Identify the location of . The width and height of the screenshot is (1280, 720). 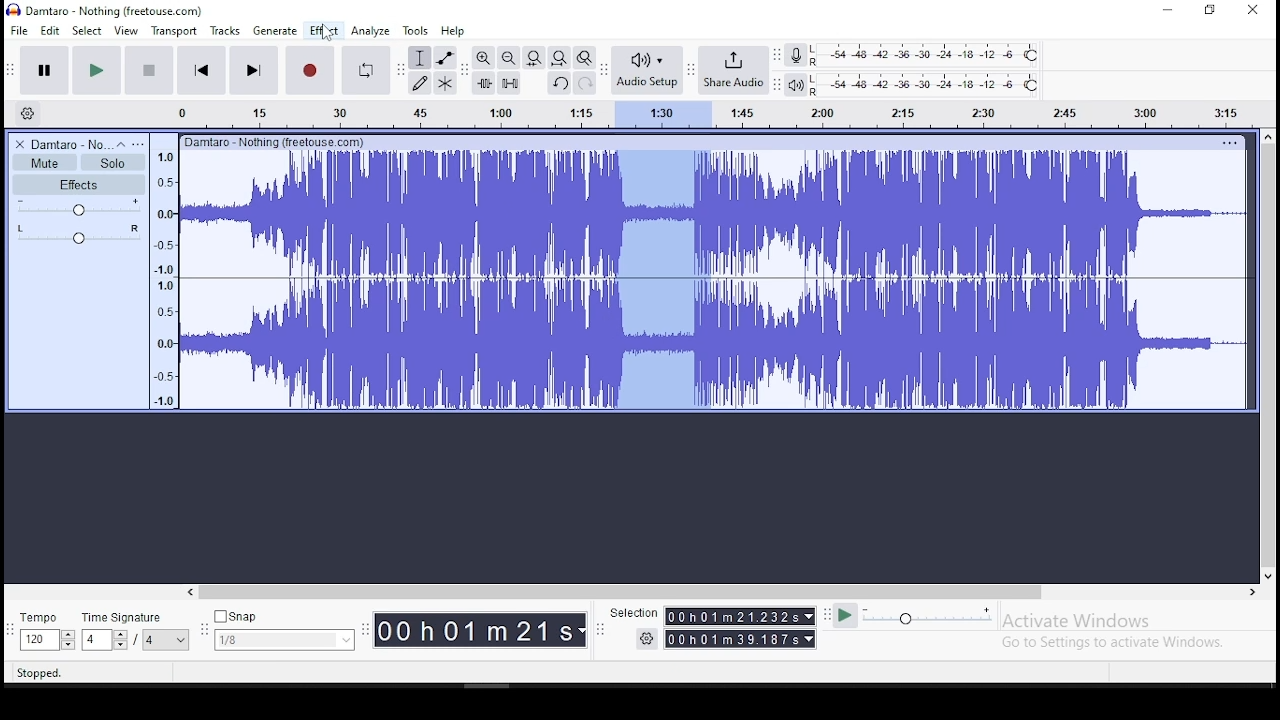
(277, 141).